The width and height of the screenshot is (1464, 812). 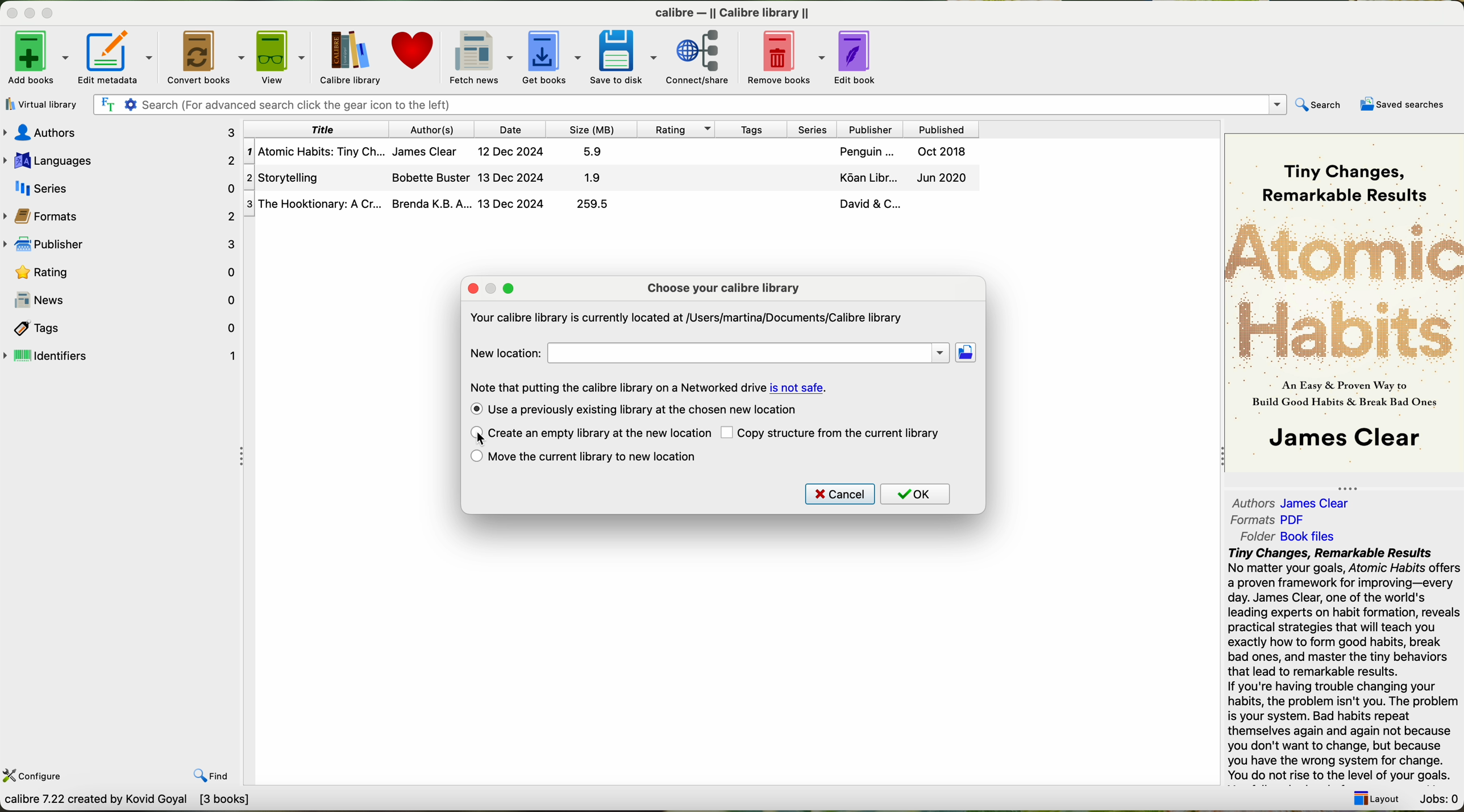 I want to click on | Fr ¢ Search (For advanced search click the gear icon to the left), so click(x=685, y=103).